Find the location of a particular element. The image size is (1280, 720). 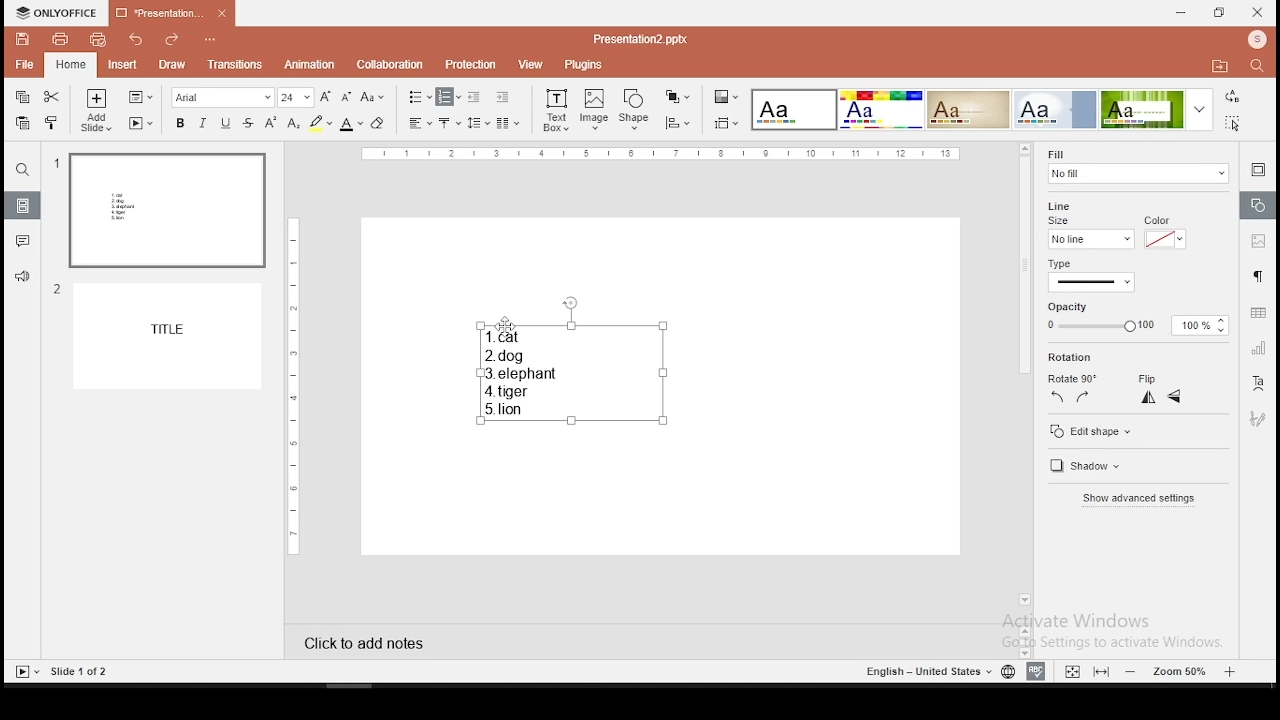

rotate 90 is located at coordinates (1074, 375).